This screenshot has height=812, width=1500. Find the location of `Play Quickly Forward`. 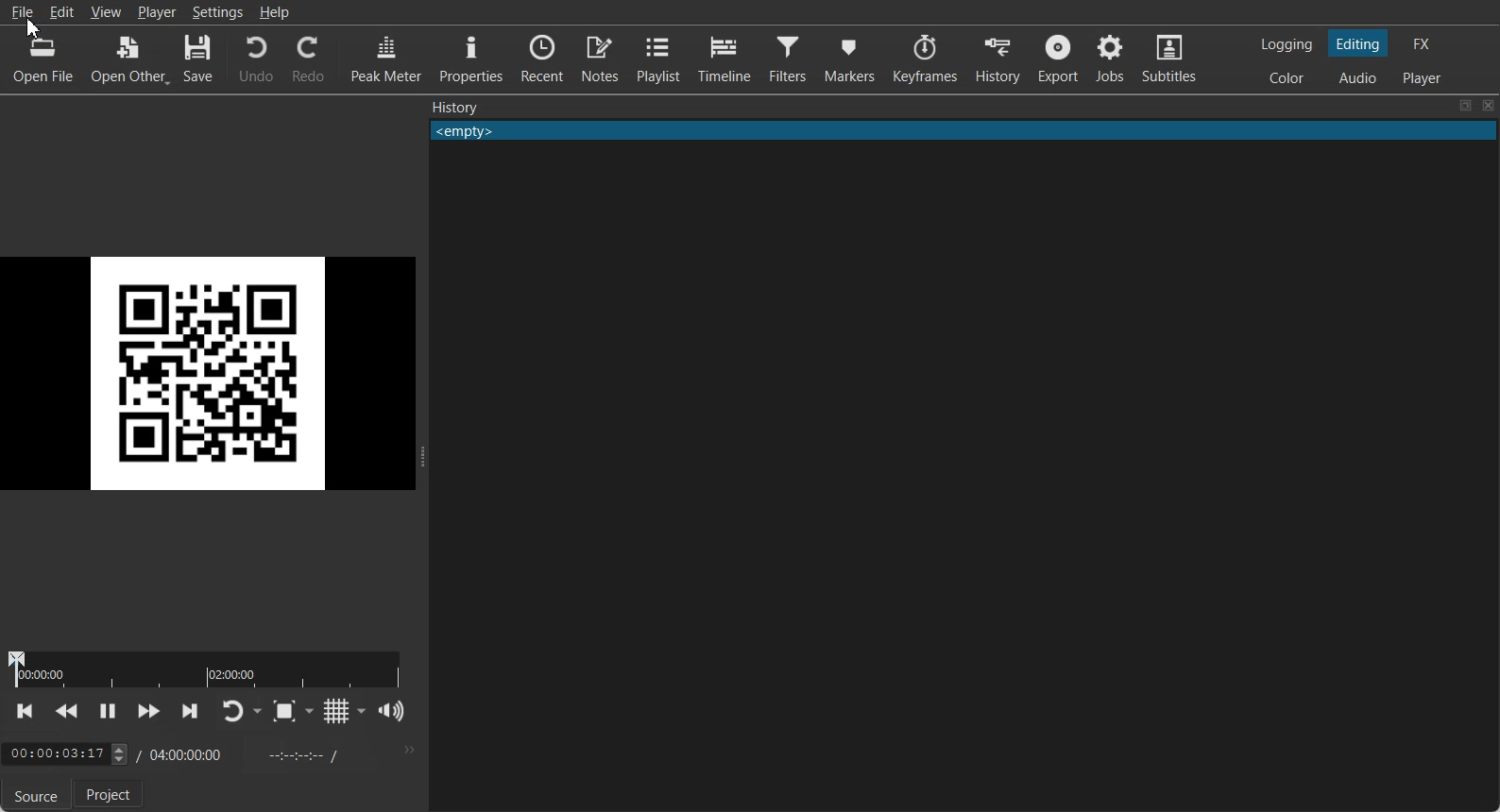

Play Quickly Forward is located at coordinates (148, 712).